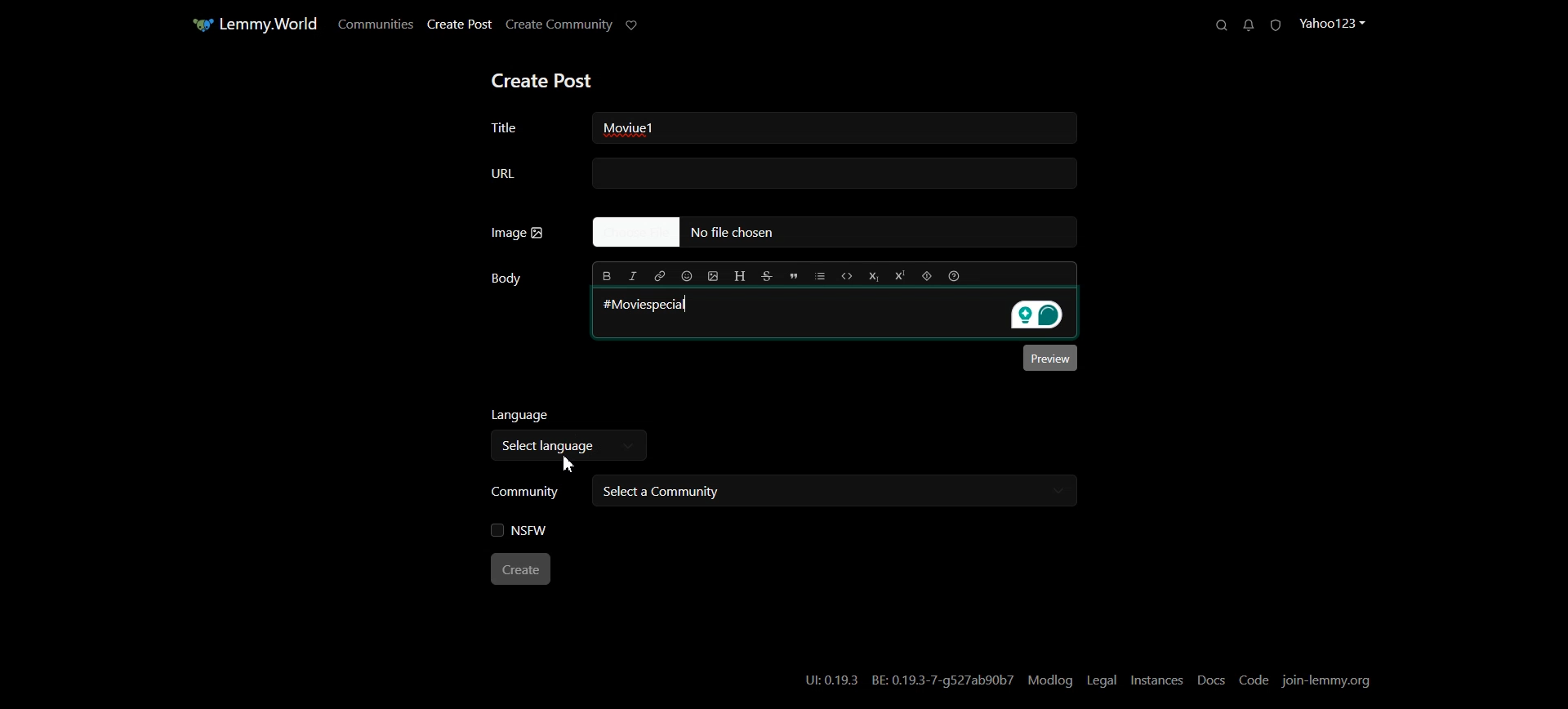  Describe the element at coordinates (541, 82) in the screenshot. I see `Create Post` at that location.